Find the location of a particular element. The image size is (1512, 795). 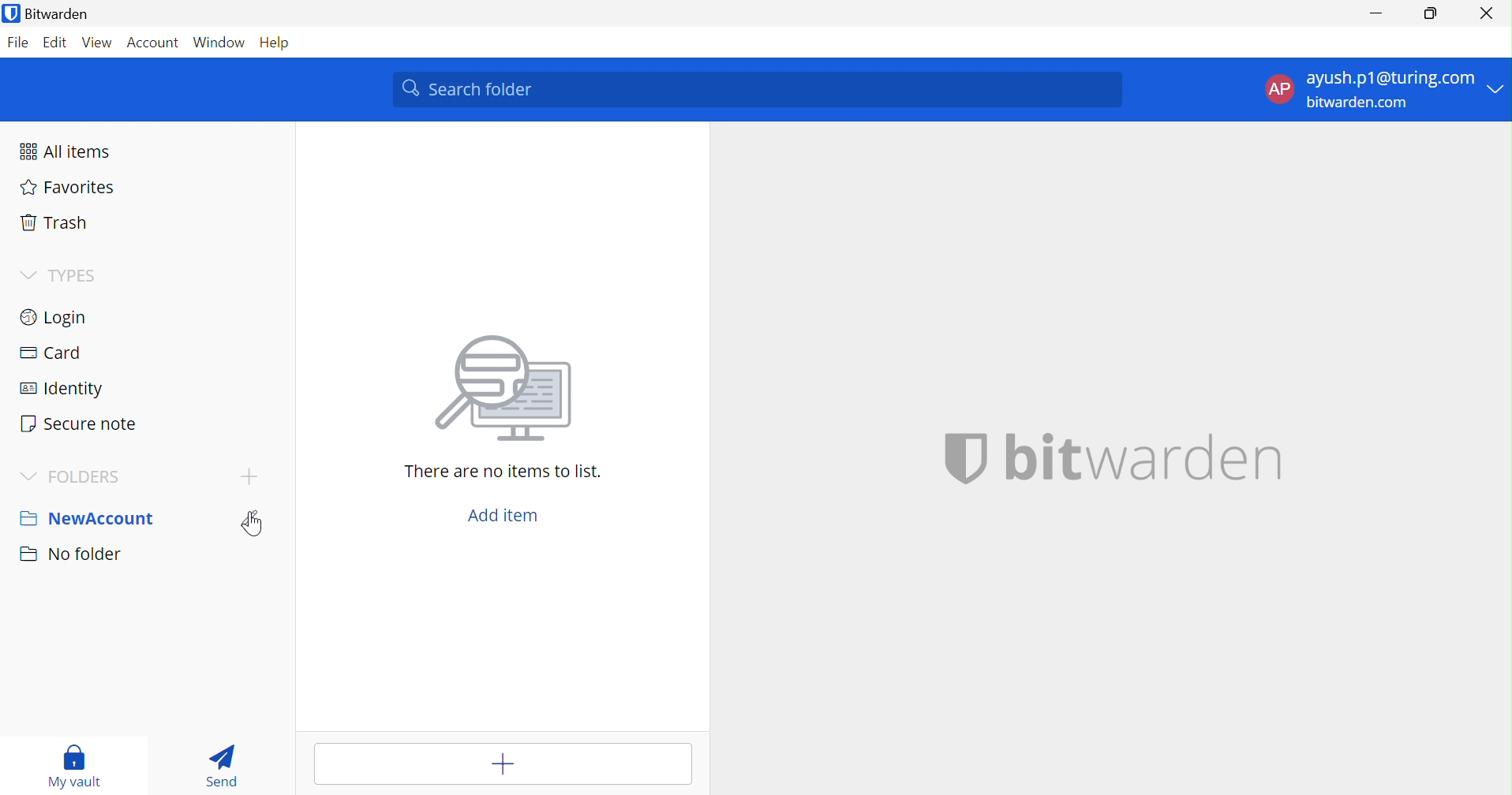

My Vault is located at coordinates (78, 768).